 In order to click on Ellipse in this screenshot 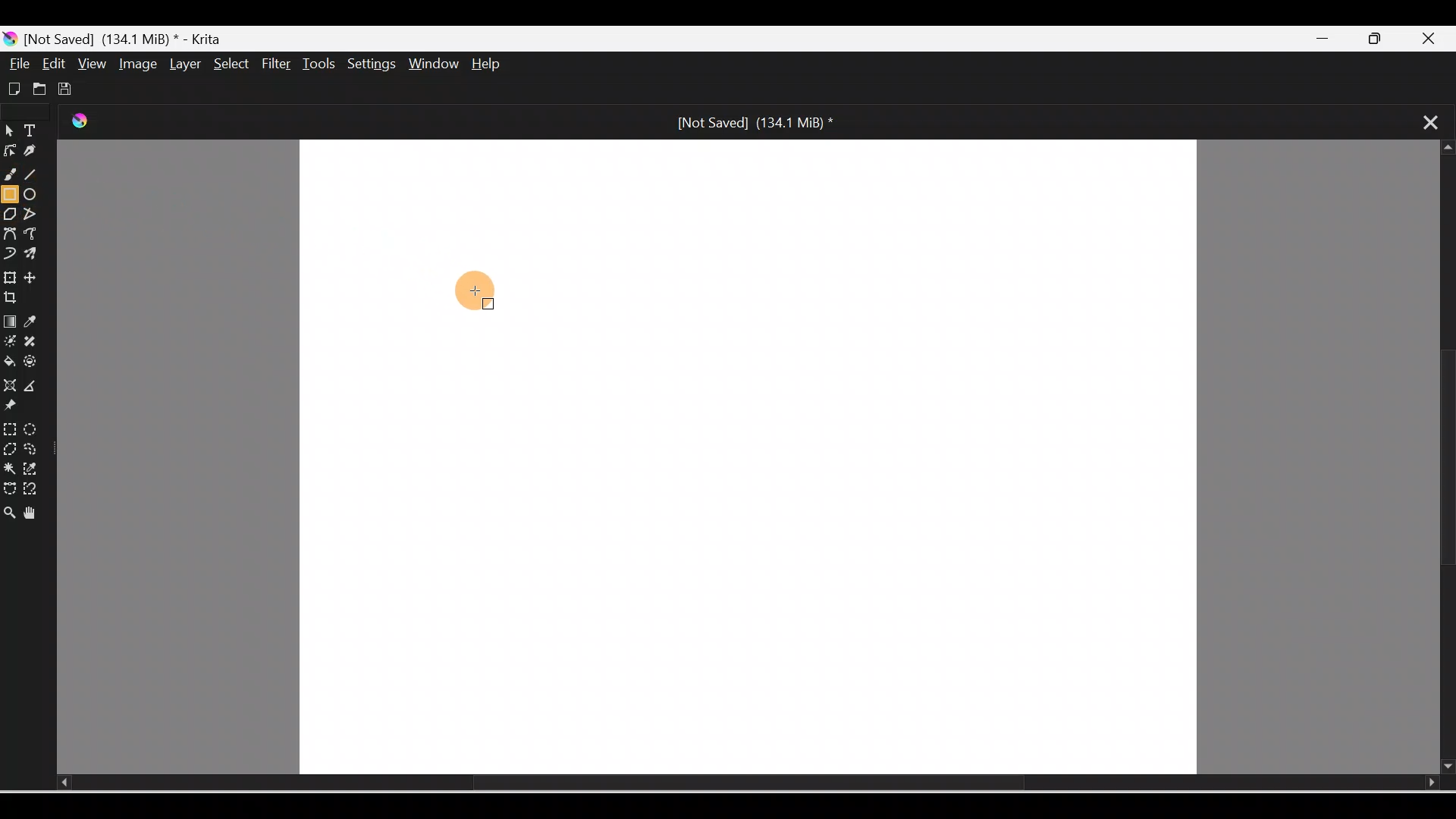, I will do `click(35, 196)`.